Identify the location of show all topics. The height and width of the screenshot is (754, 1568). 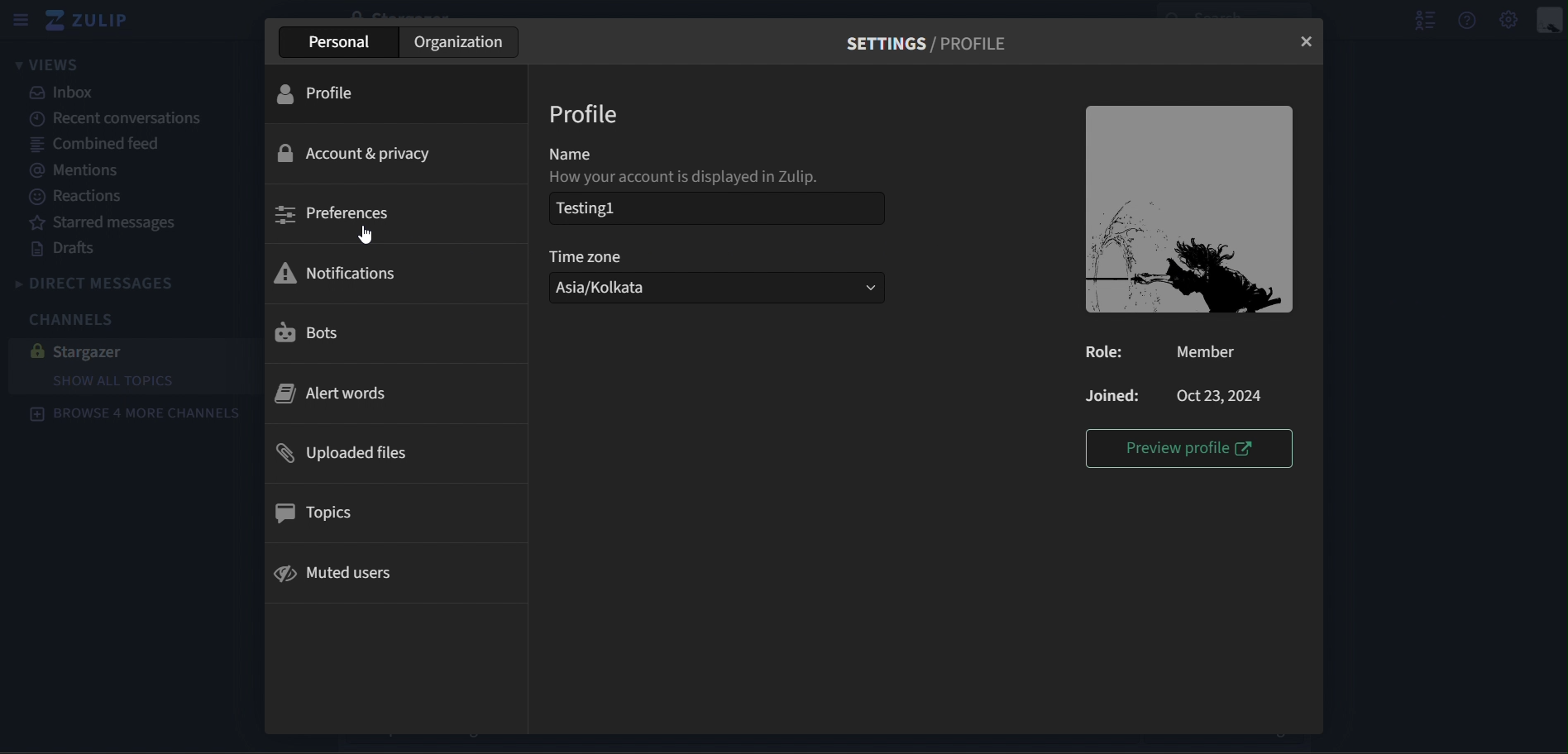
(118, 380).